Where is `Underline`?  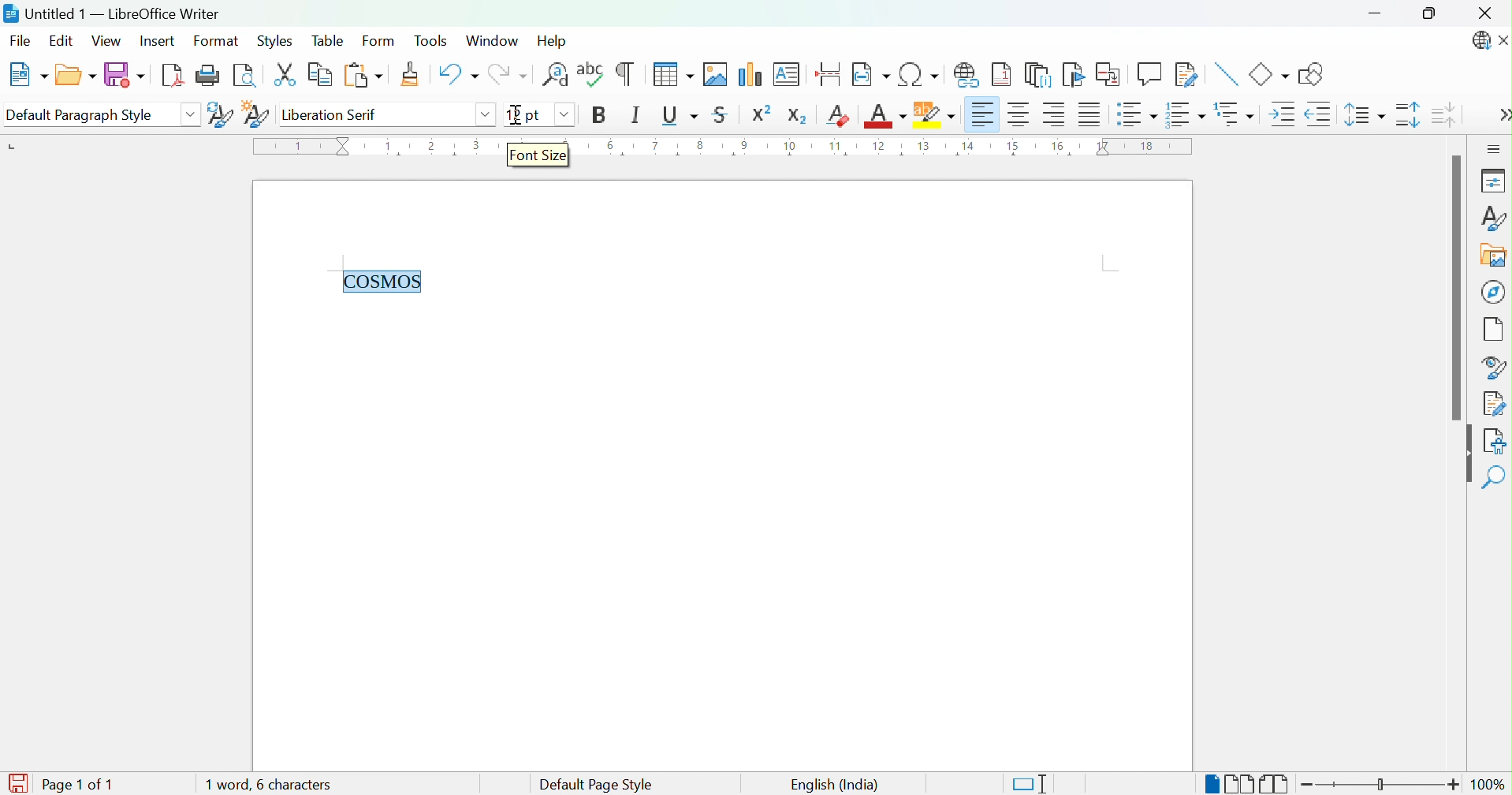 Underline is located at coordinates (679, 115).